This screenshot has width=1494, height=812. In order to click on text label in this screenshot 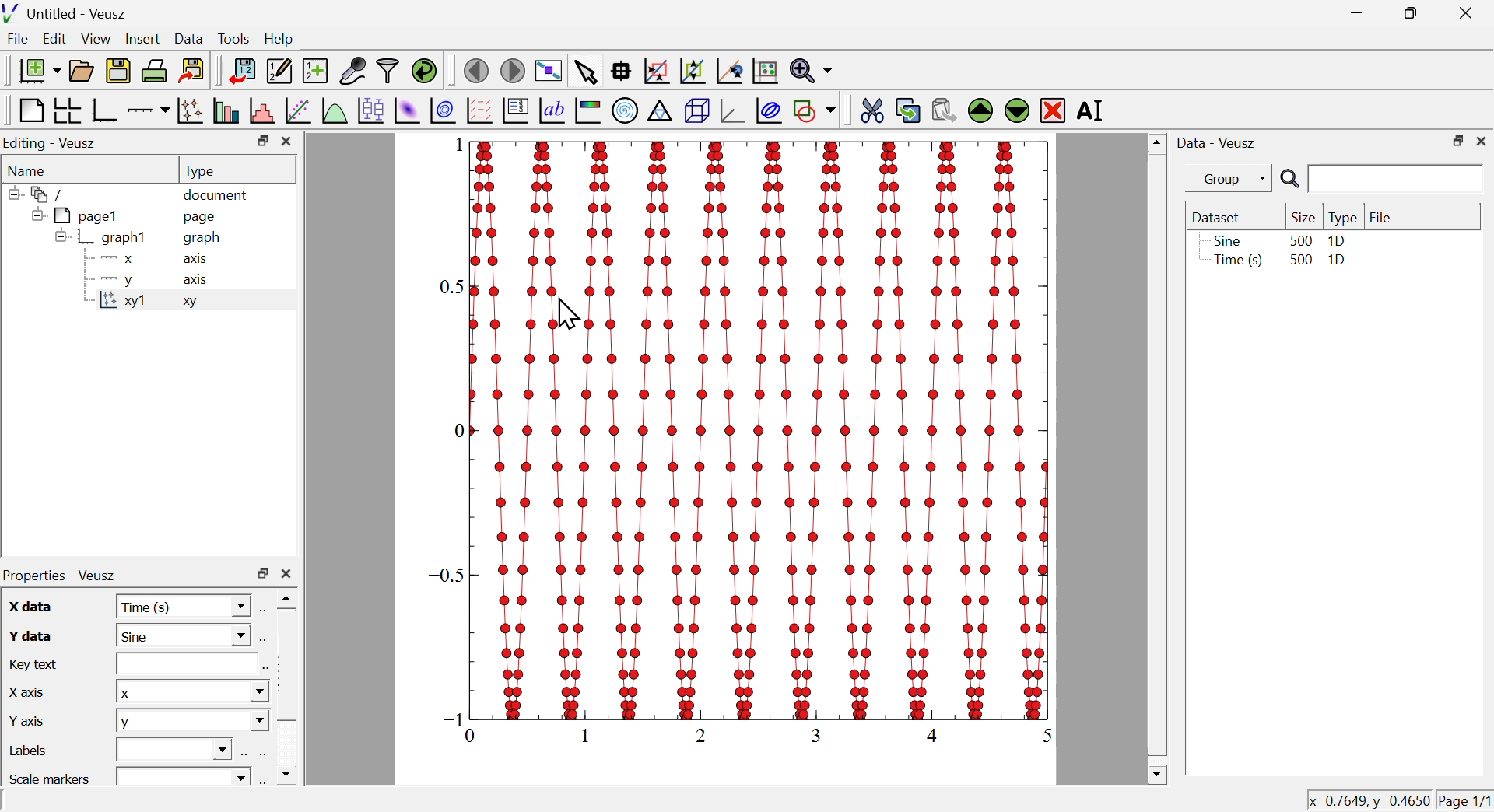, I will do `click(552, 113)`.